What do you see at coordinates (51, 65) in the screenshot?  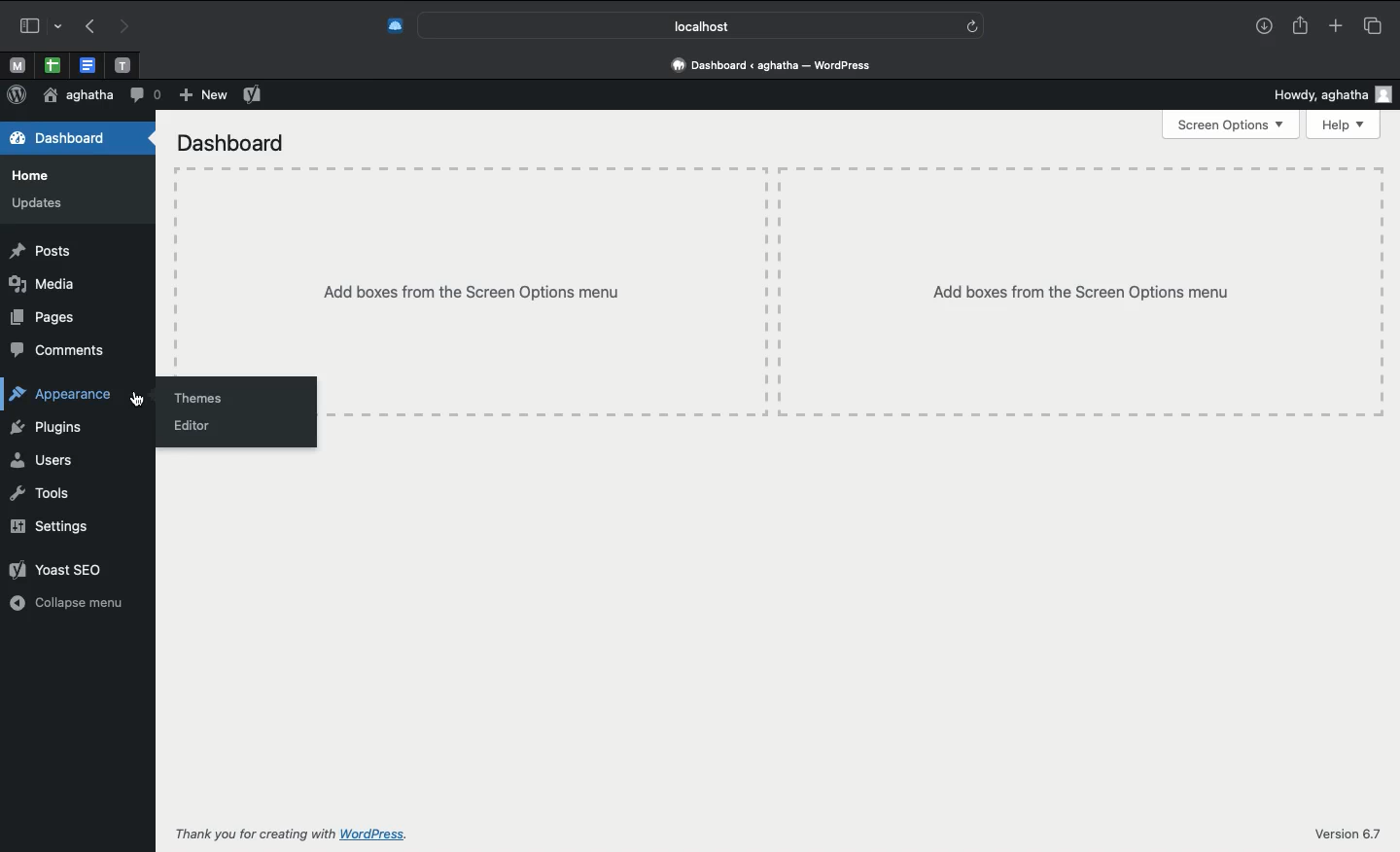 I see `open tab, google sheet` at bounding box center [51, 65].